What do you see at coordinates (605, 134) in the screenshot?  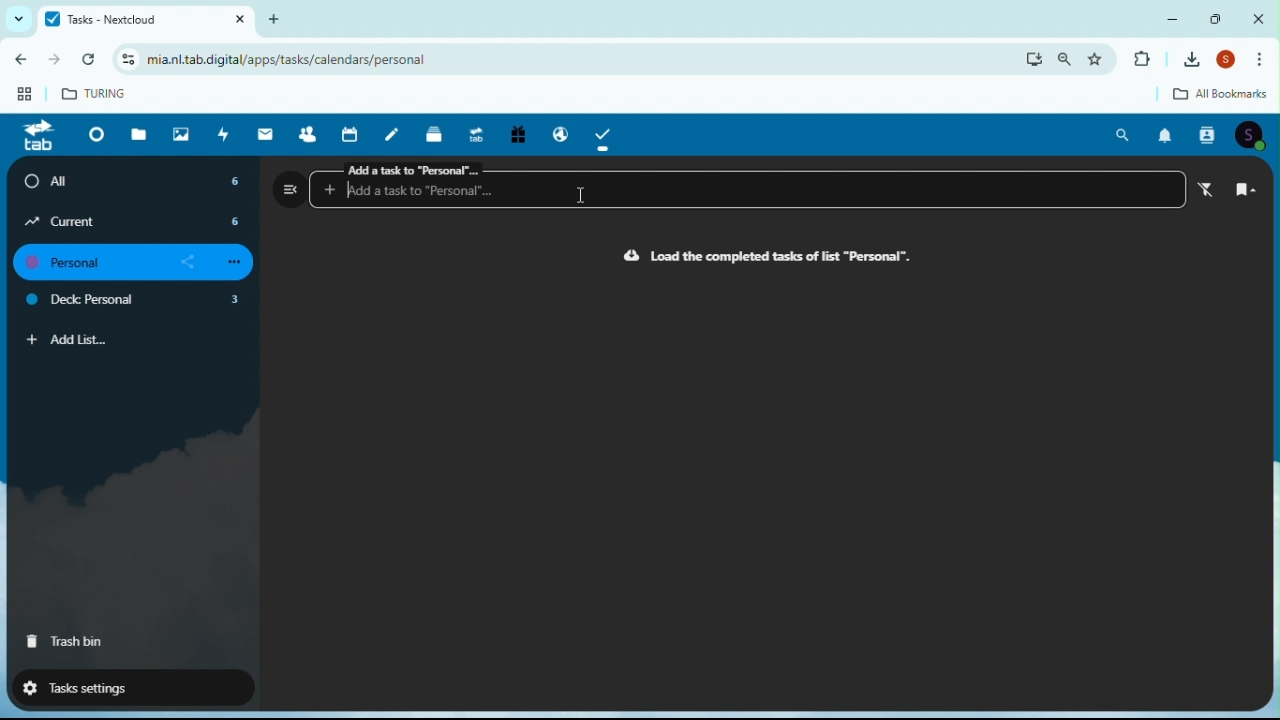 I see `Task` at bounding box center [605, 134].